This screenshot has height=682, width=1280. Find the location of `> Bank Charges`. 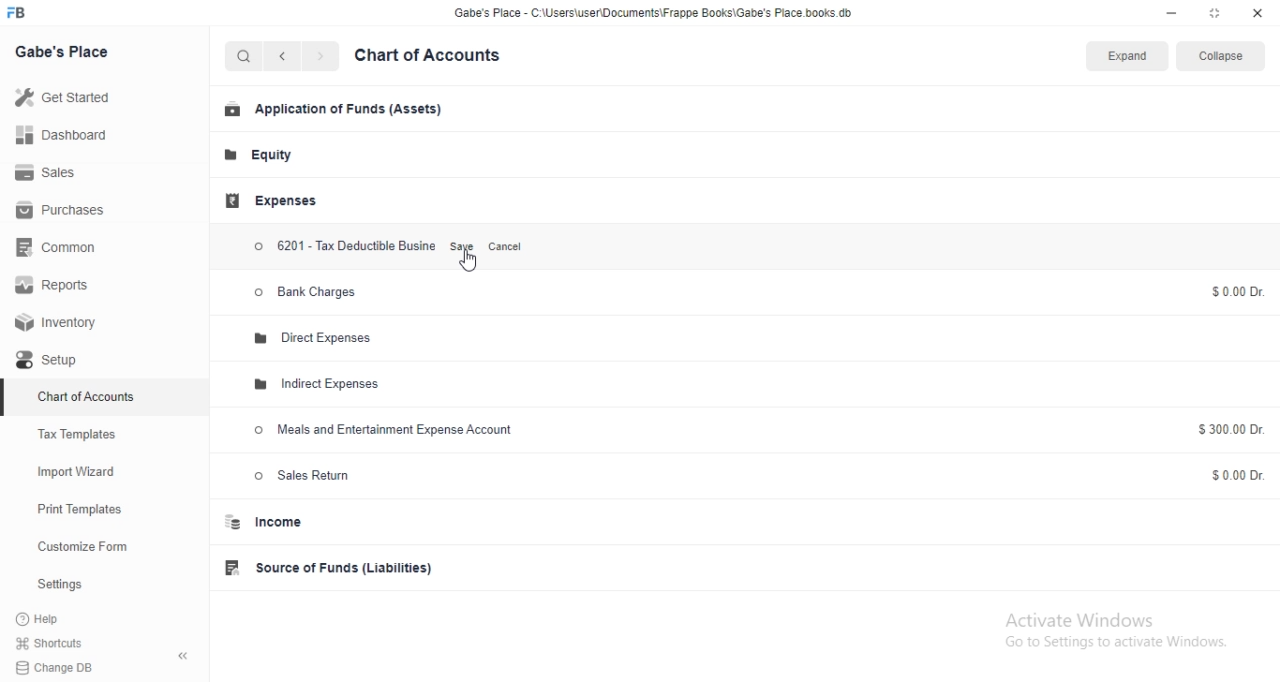

> Bank Charges is located at coordinates (316, 296).